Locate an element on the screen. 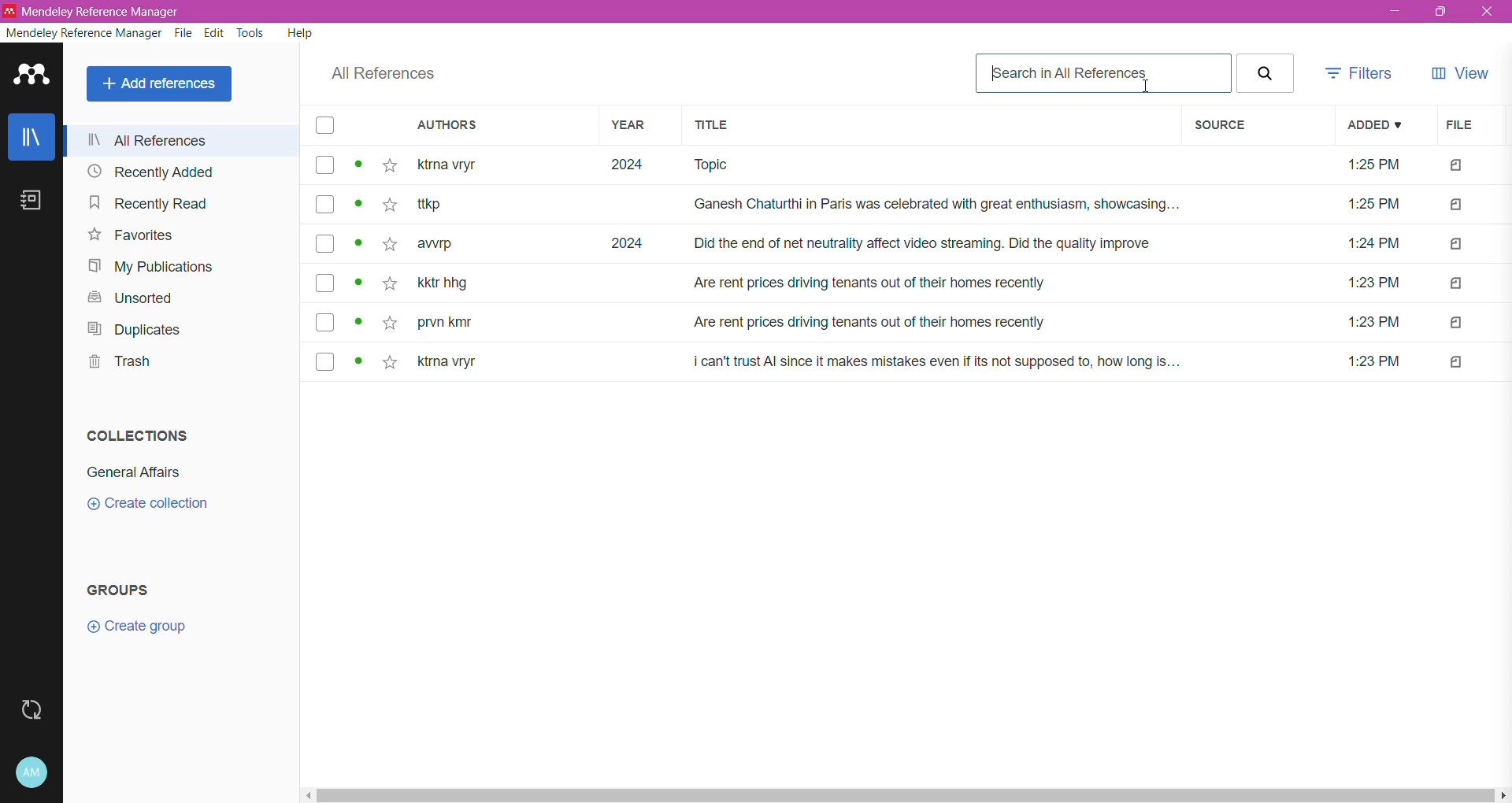  Application Logo is located at coordinates (32, 79).